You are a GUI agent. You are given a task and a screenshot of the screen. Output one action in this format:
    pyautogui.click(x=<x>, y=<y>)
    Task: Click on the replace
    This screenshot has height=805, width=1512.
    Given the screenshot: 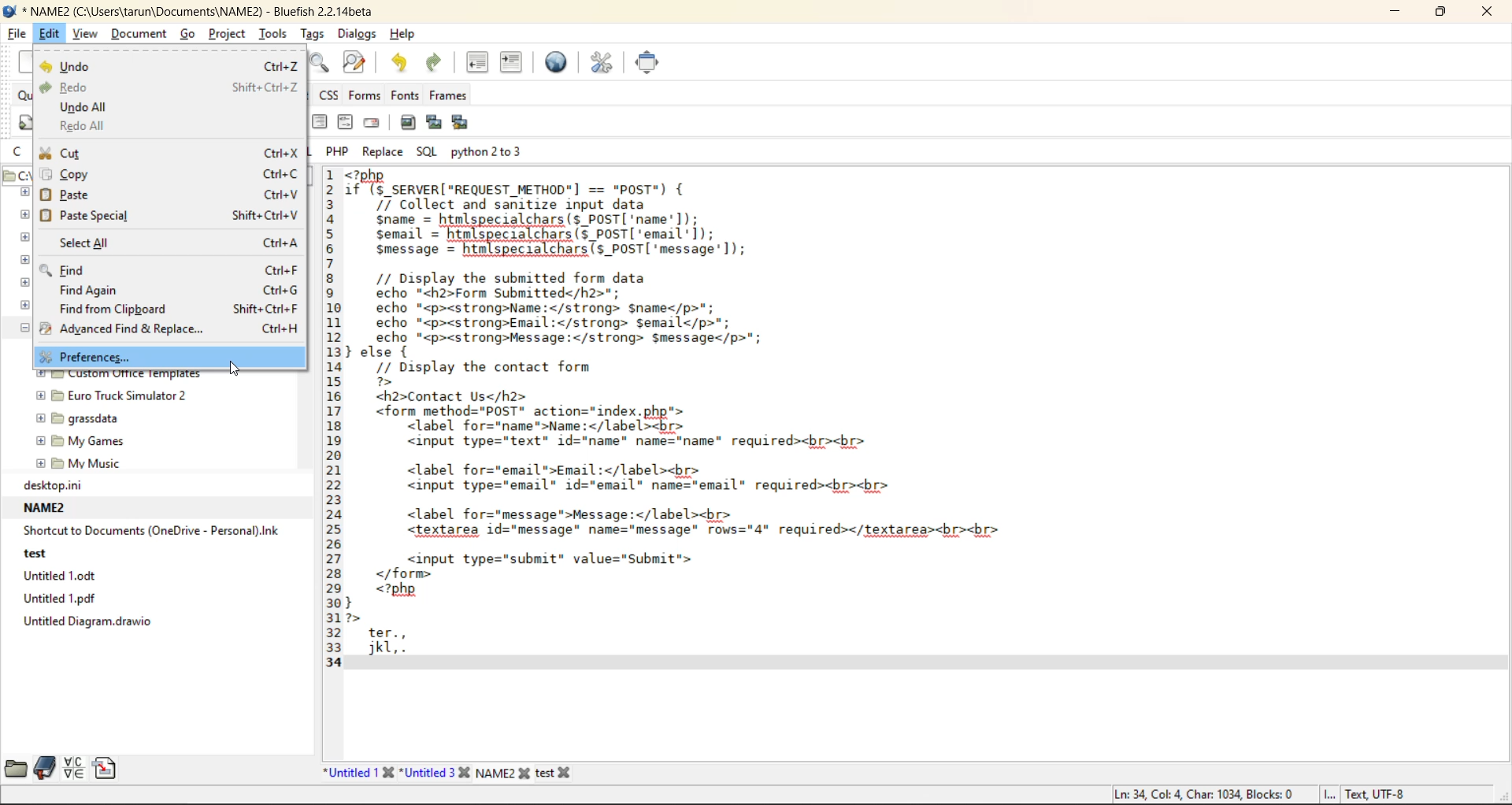 What is the action you would take?
    pyautogui.click(x=385, y=151)
    